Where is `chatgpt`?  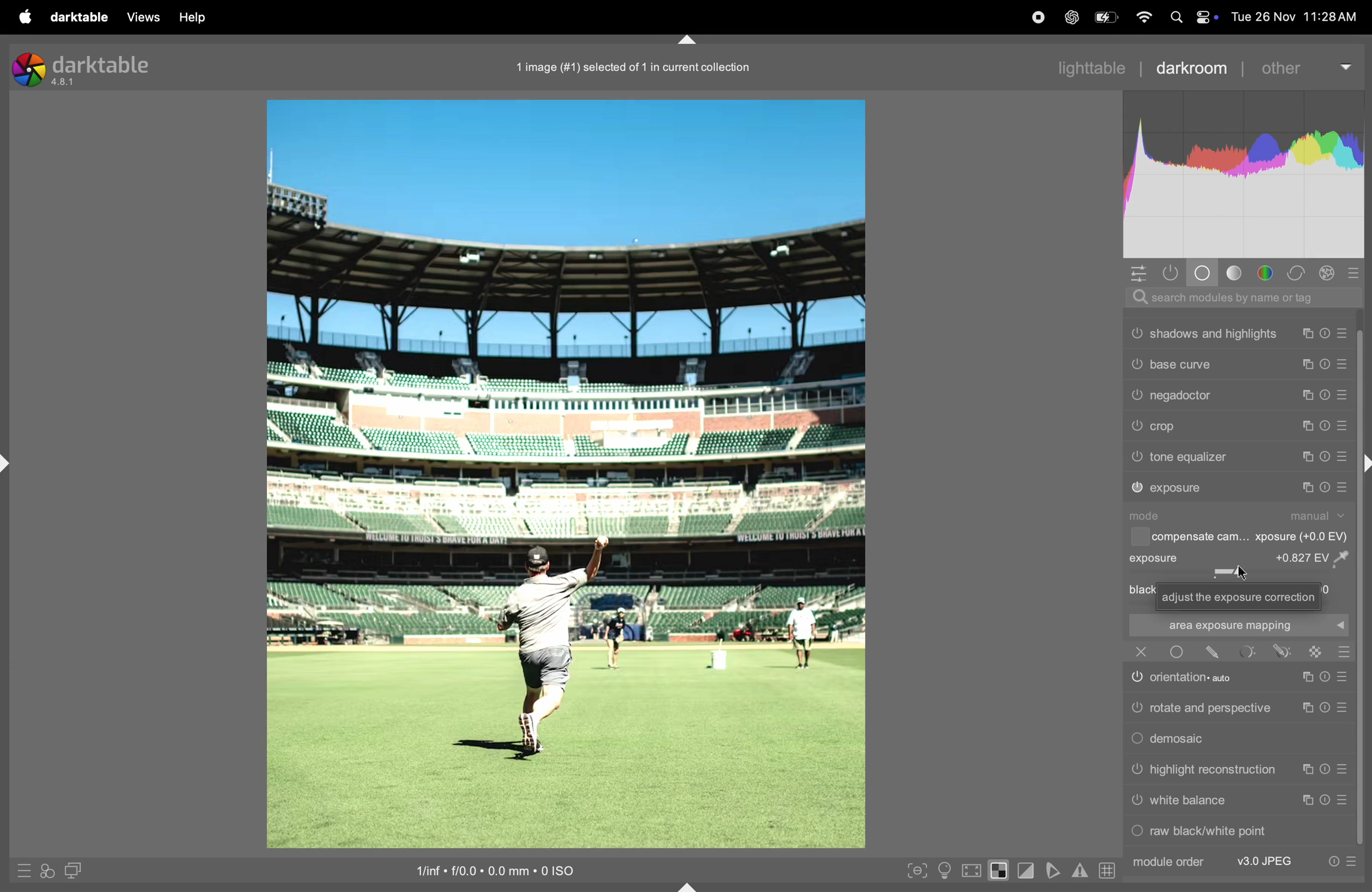 chatgpt is located at coordinates (1069, 18).